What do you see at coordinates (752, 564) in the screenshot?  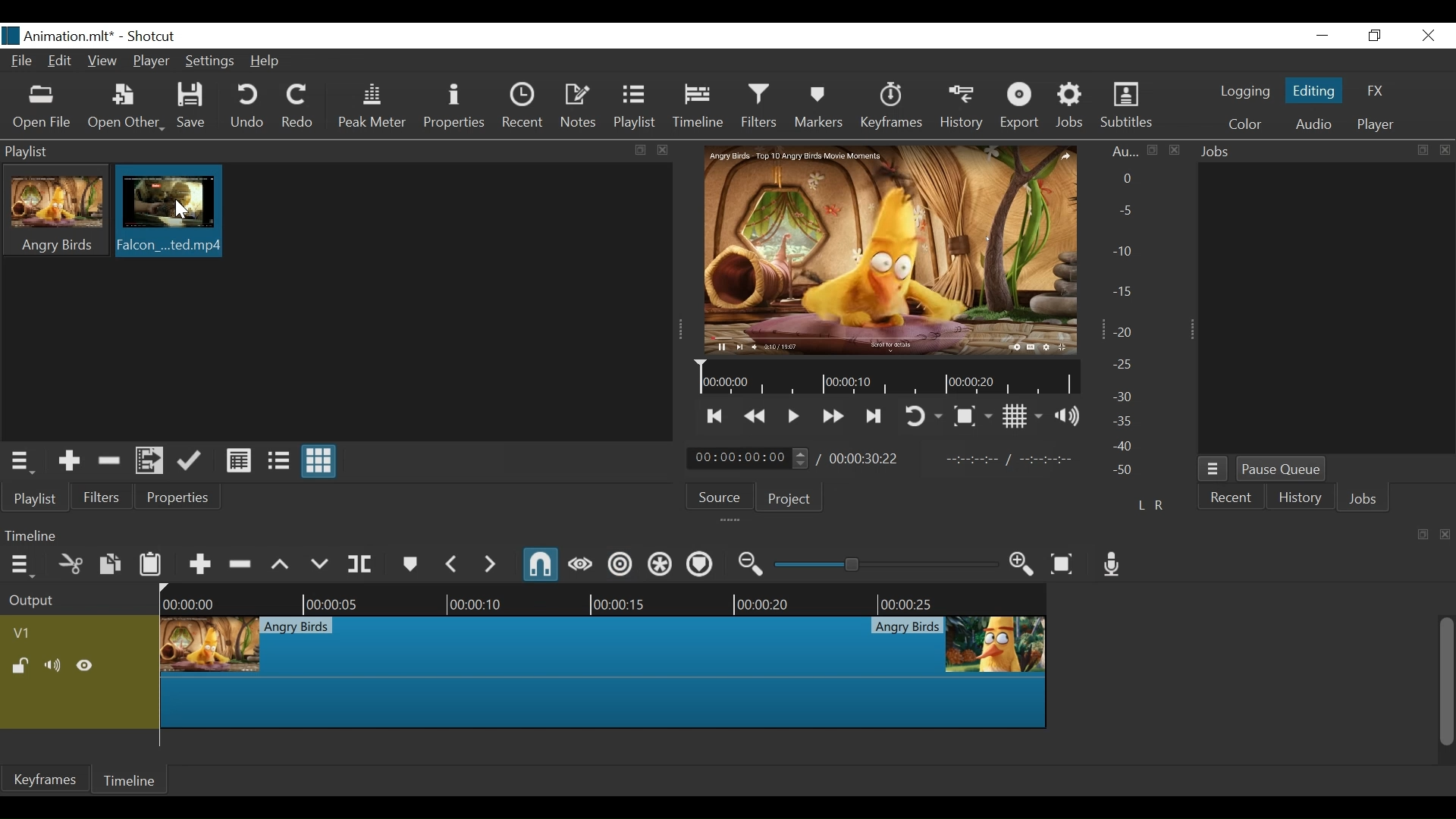 I see `Zoom timeline out` at bounding box center [752, 564].